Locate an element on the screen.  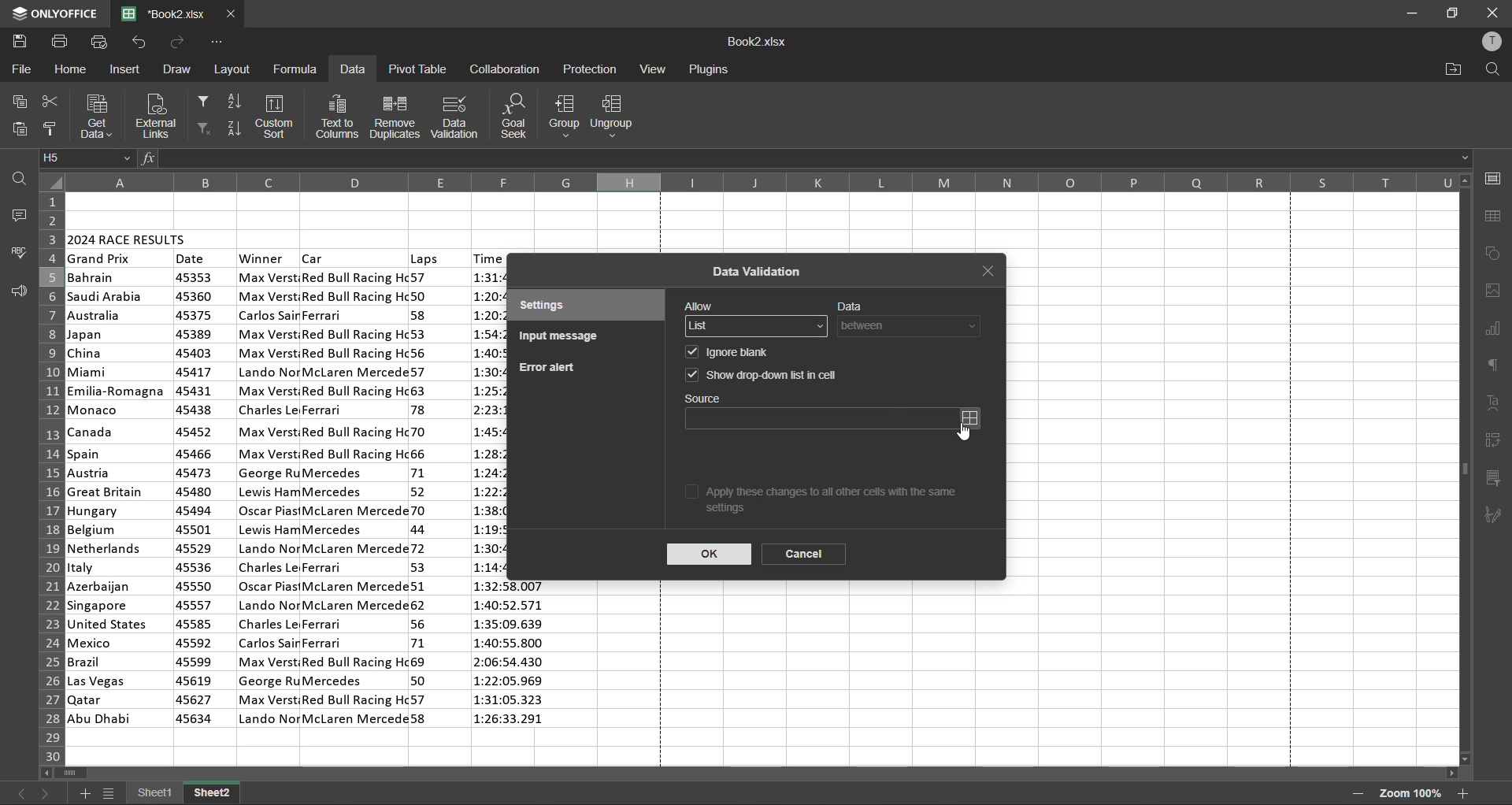
pivot table is located at coordinates (416, 69).